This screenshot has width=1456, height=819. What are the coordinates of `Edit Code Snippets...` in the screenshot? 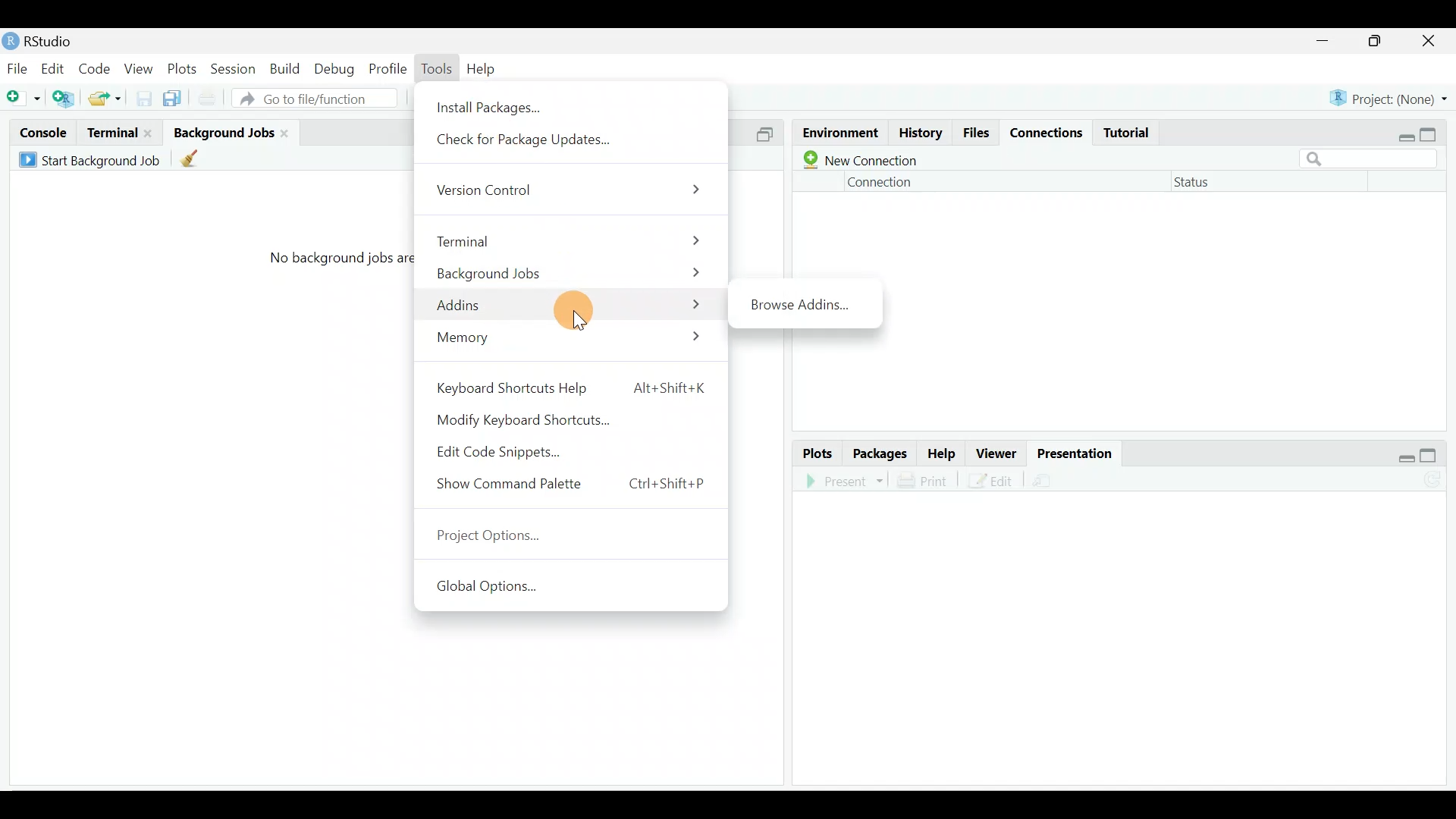 It's located at (508, 451).